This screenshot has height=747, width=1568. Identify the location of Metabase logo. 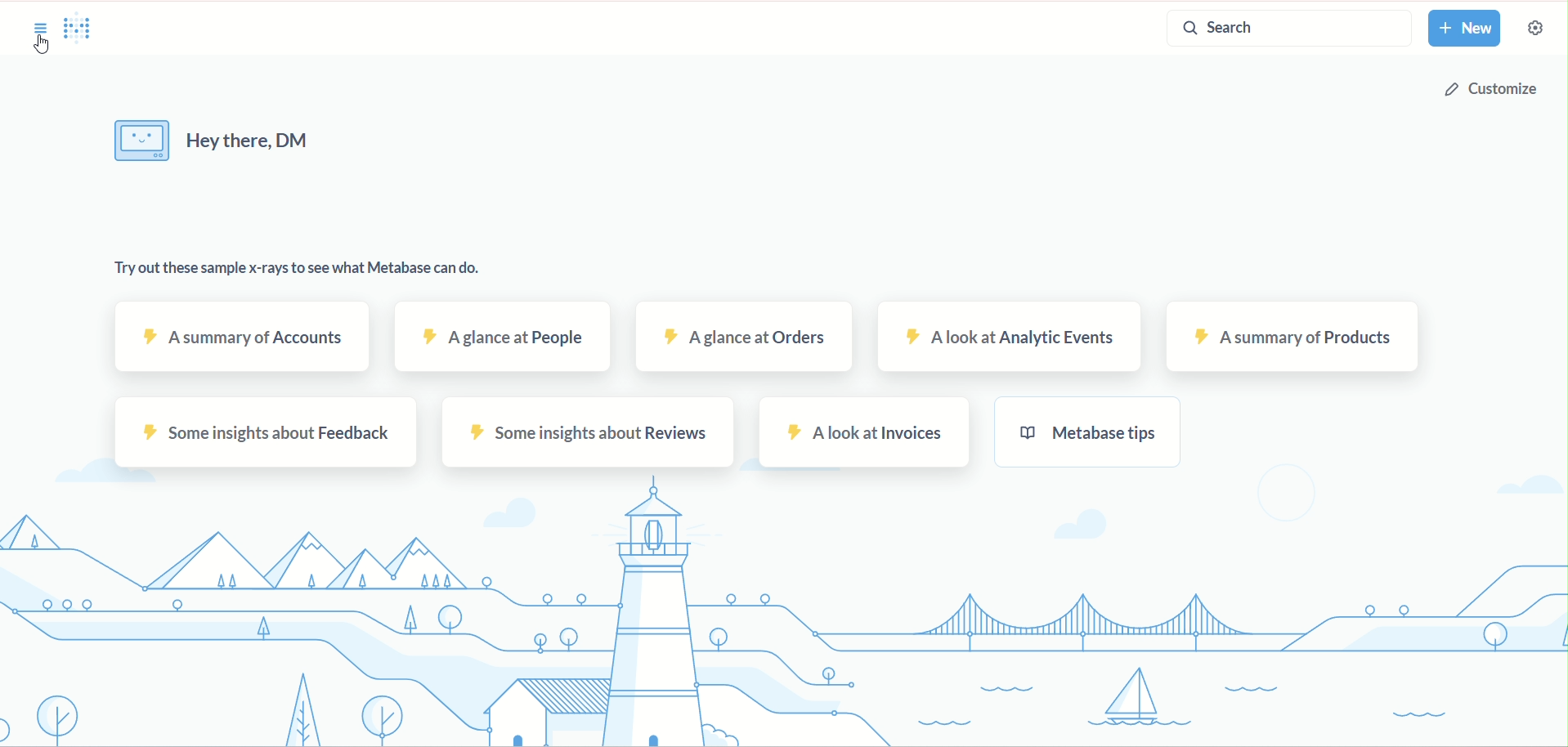
(83, 30).